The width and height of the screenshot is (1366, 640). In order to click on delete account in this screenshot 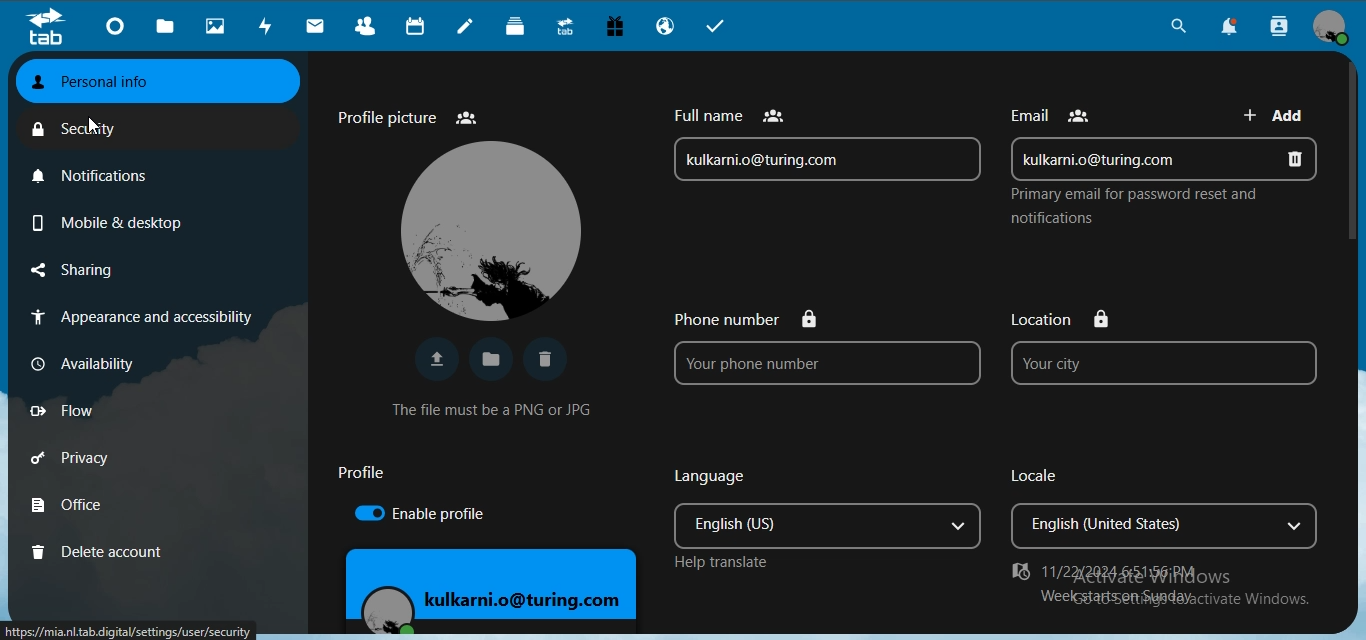, I will do `click(98, 551)`.